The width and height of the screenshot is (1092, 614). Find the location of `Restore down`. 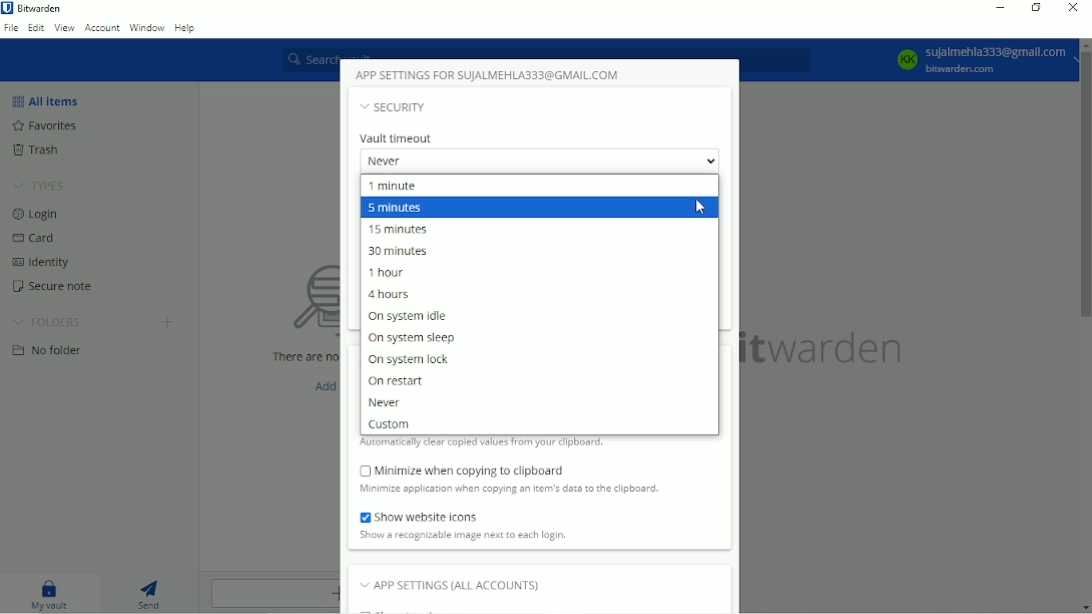

Restore down is located at coordinates (1034, 8).